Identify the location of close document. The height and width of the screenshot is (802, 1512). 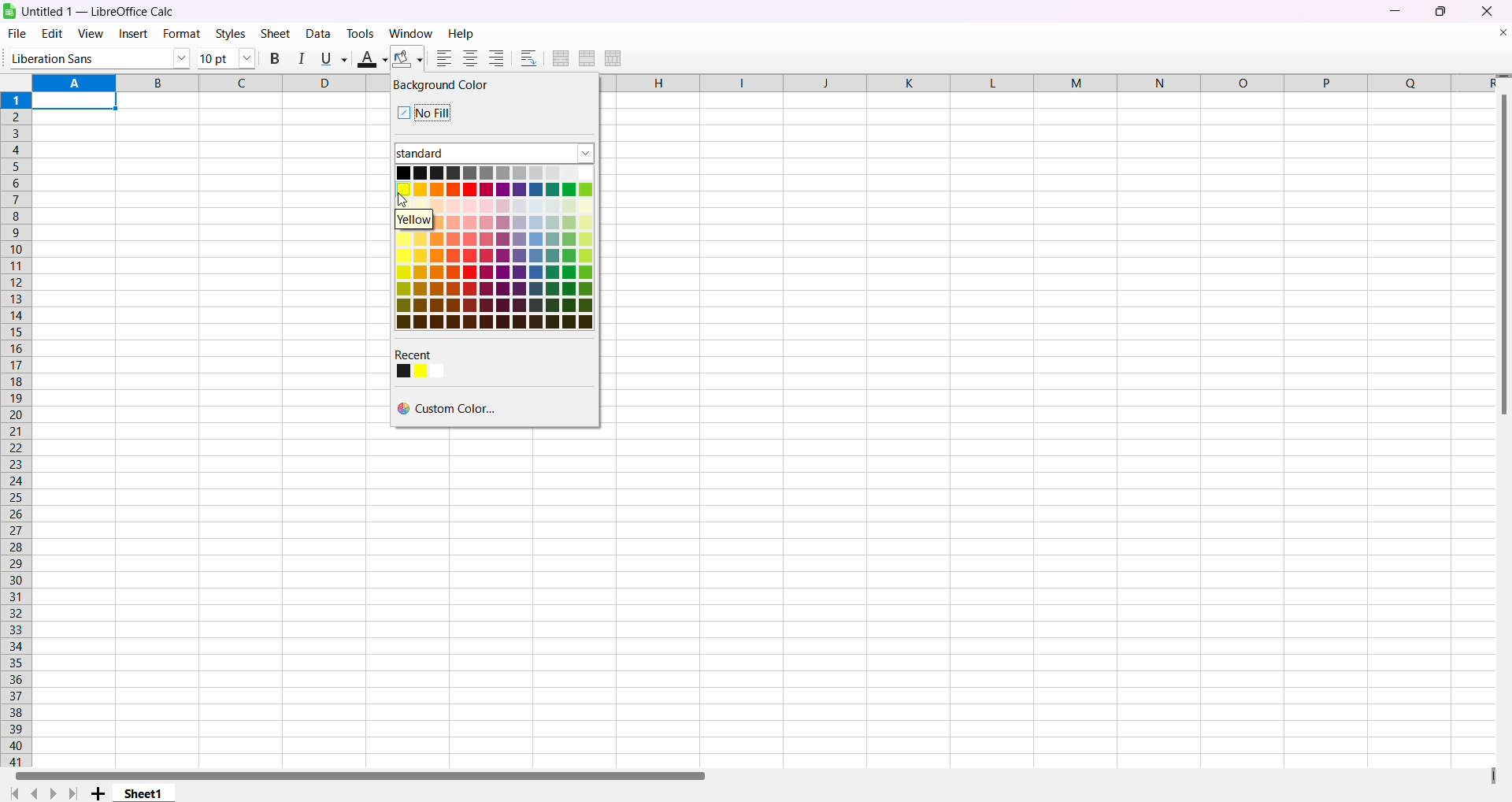
(1497, 33).